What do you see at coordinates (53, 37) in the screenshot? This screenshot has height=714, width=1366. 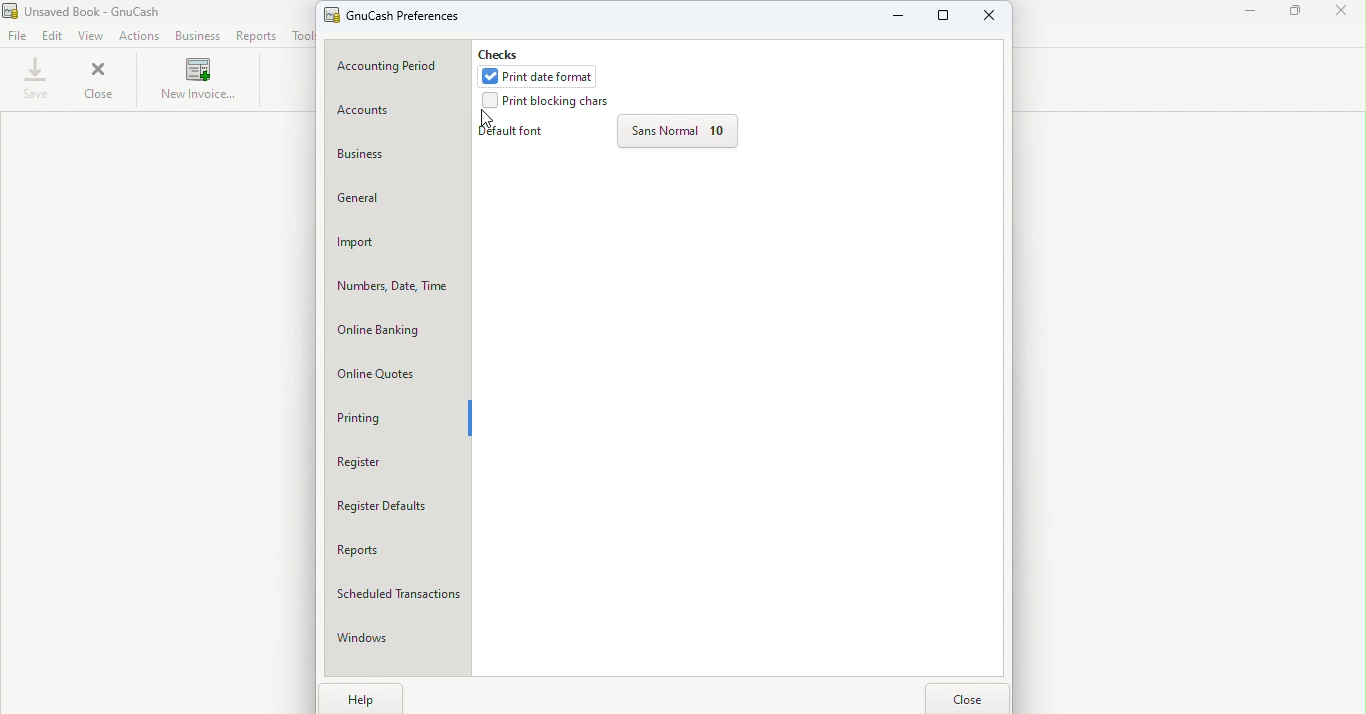 I see `Edit` at bounding box center [53, 37].